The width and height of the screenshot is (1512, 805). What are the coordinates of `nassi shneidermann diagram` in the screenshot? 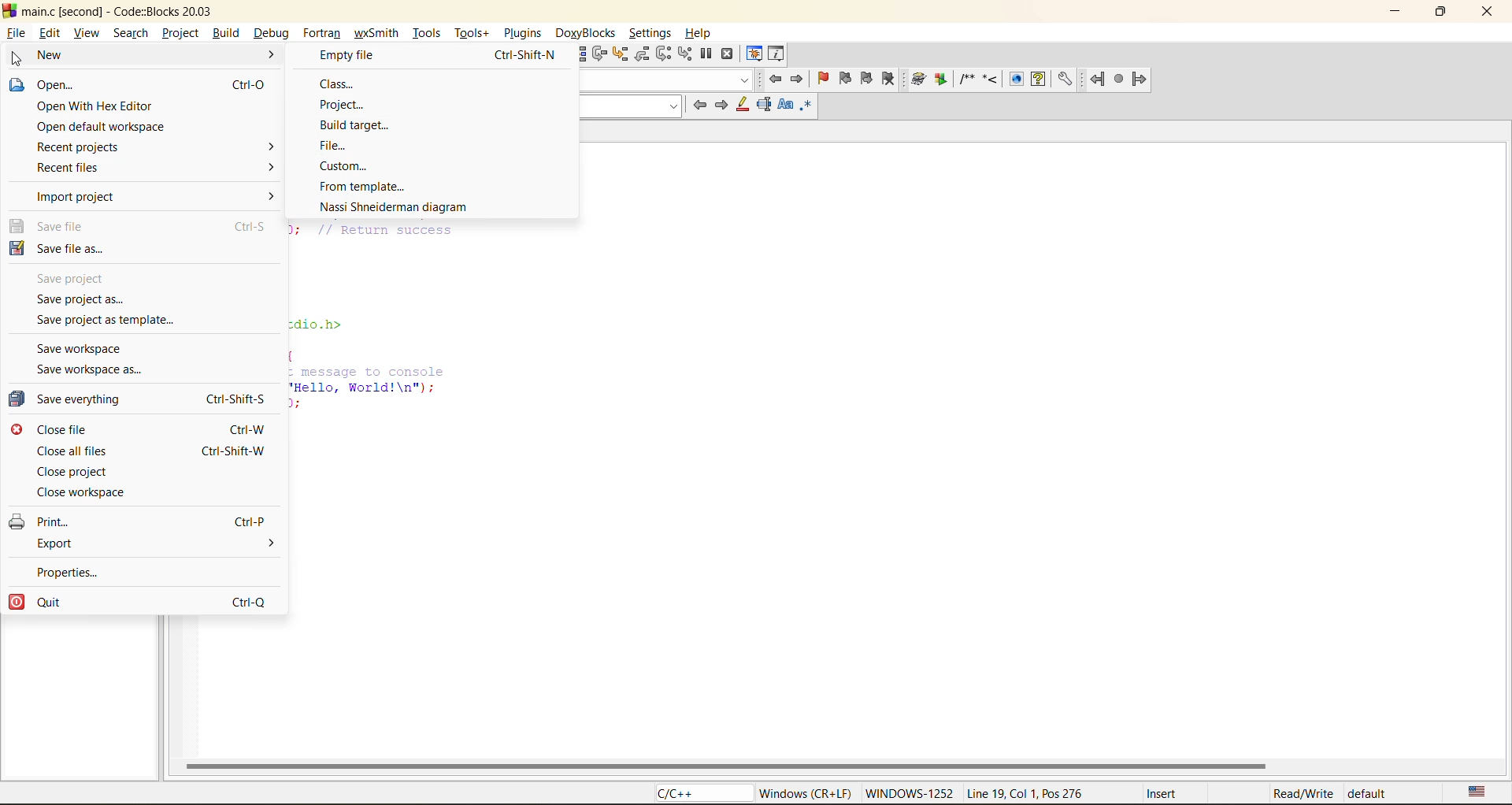 It's located at (394, 207).